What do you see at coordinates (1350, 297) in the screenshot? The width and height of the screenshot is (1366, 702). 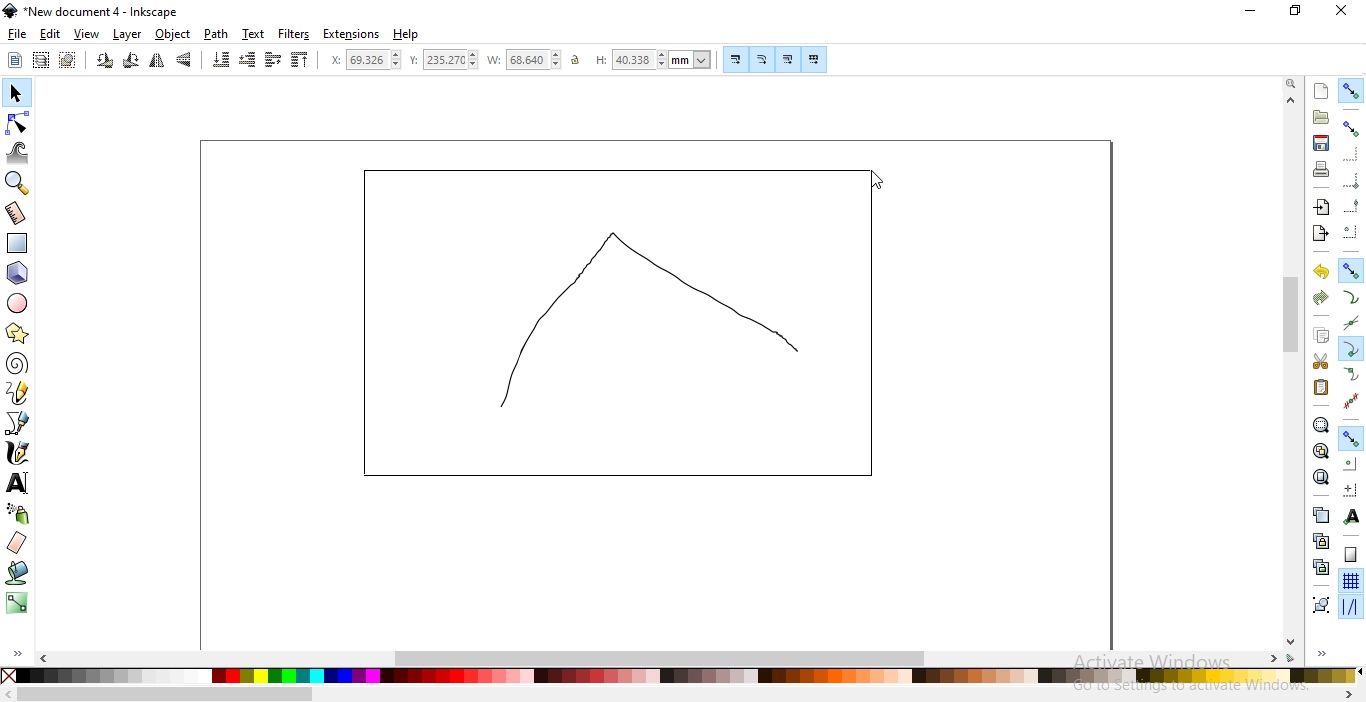 I see `snap to paths` at bounding box center [1350, 297].